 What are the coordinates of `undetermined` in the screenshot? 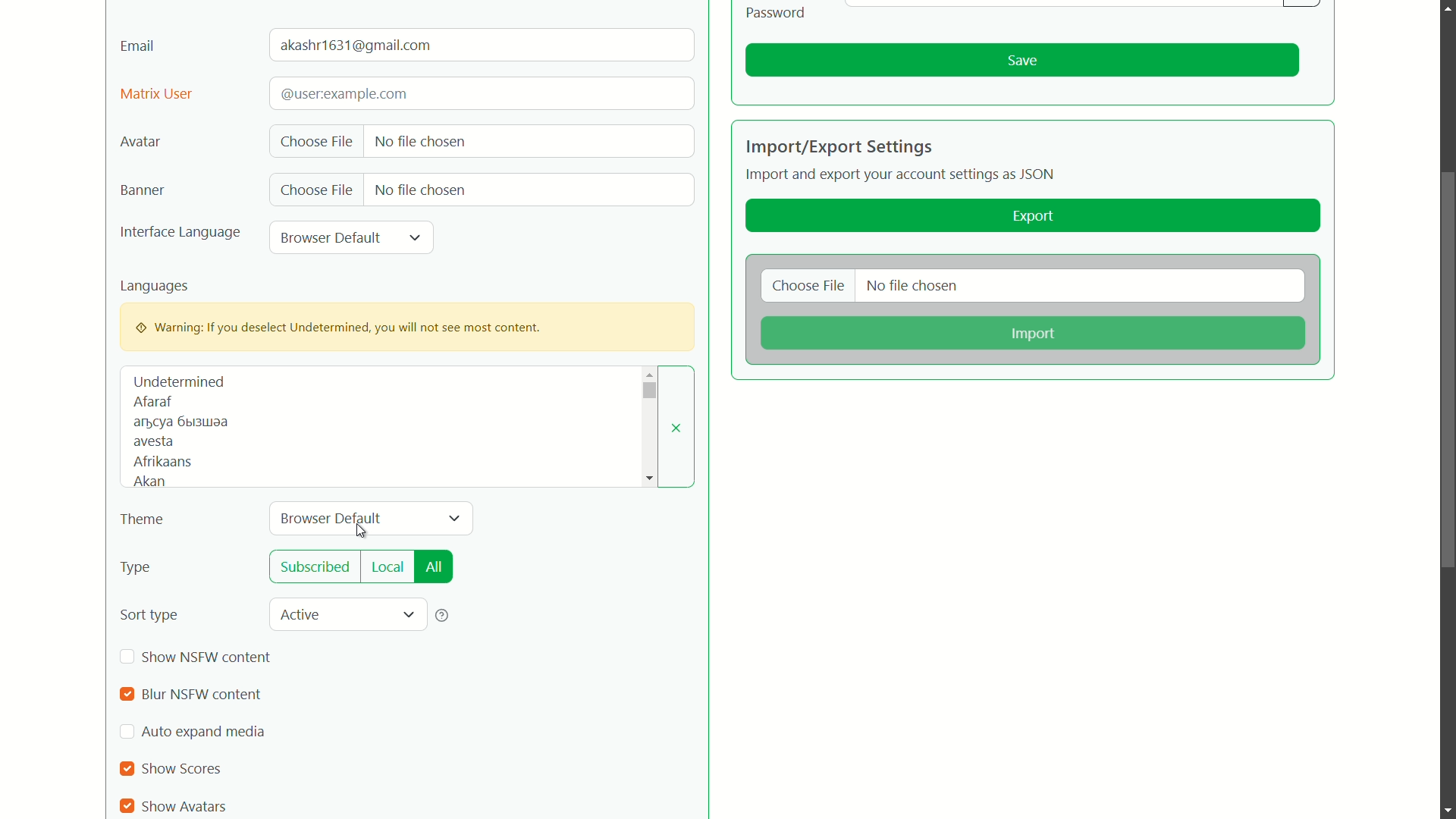 It's located at (179, 381).